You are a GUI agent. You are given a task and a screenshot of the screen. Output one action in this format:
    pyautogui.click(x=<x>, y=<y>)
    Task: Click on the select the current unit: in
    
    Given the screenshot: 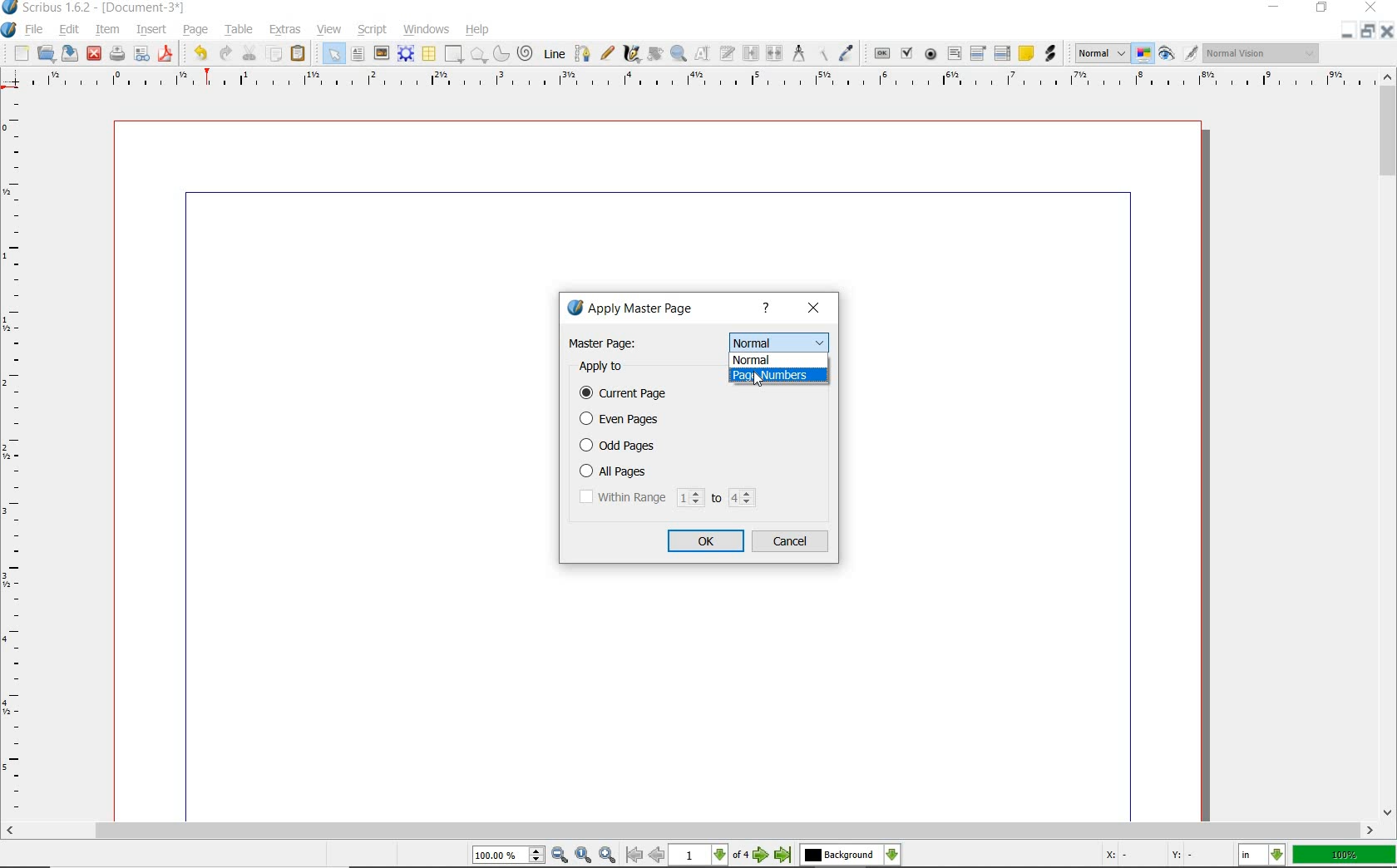 What is the action you would take?
    pyautogui.click(x=1261, y=855)
    